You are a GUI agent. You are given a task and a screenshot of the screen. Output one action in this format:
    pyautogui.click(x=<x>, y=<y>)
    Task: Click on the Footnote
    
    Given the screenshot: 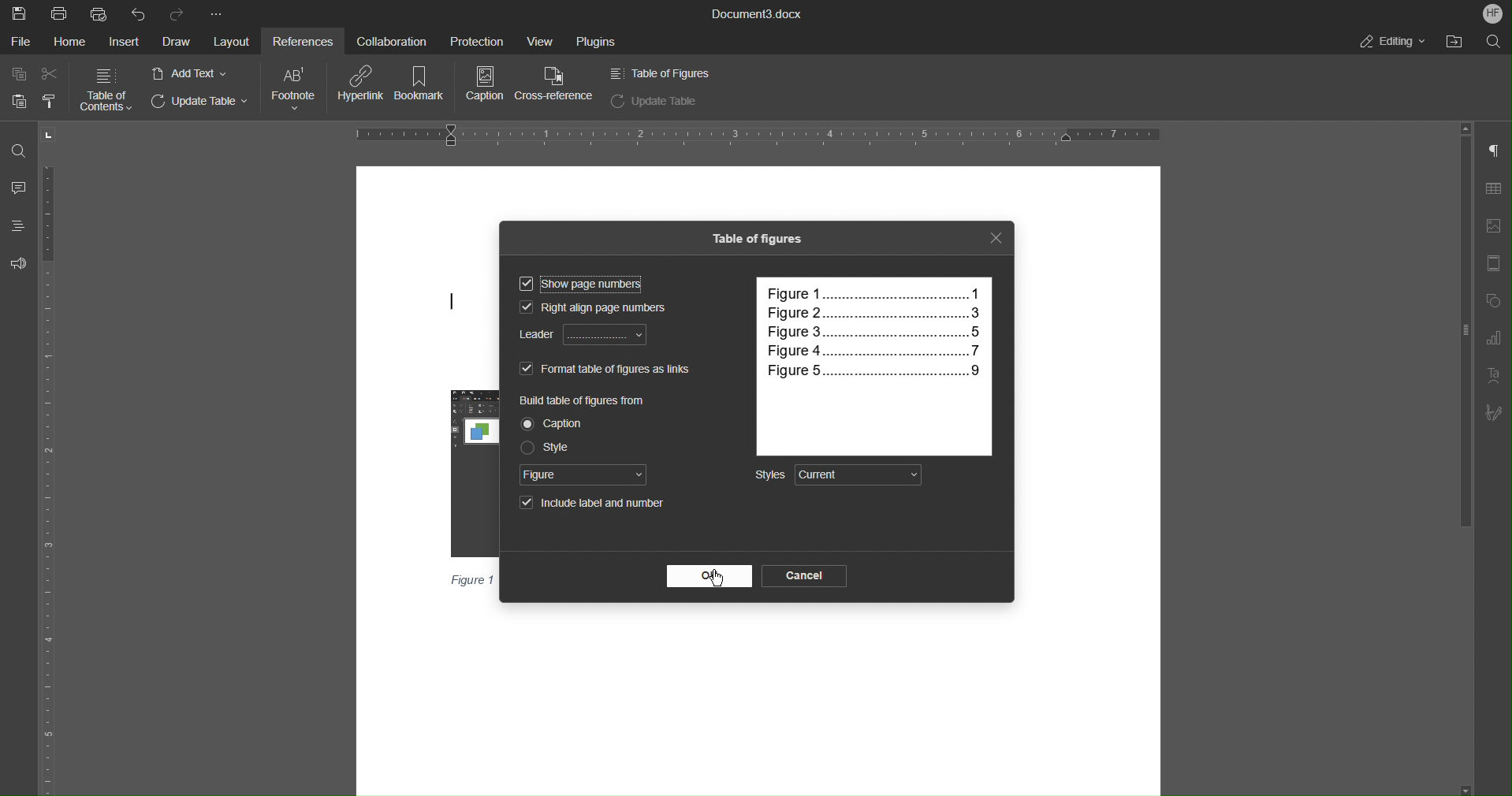 What is the action you would take?
    pyautogui.click(x=295, y=88)
    